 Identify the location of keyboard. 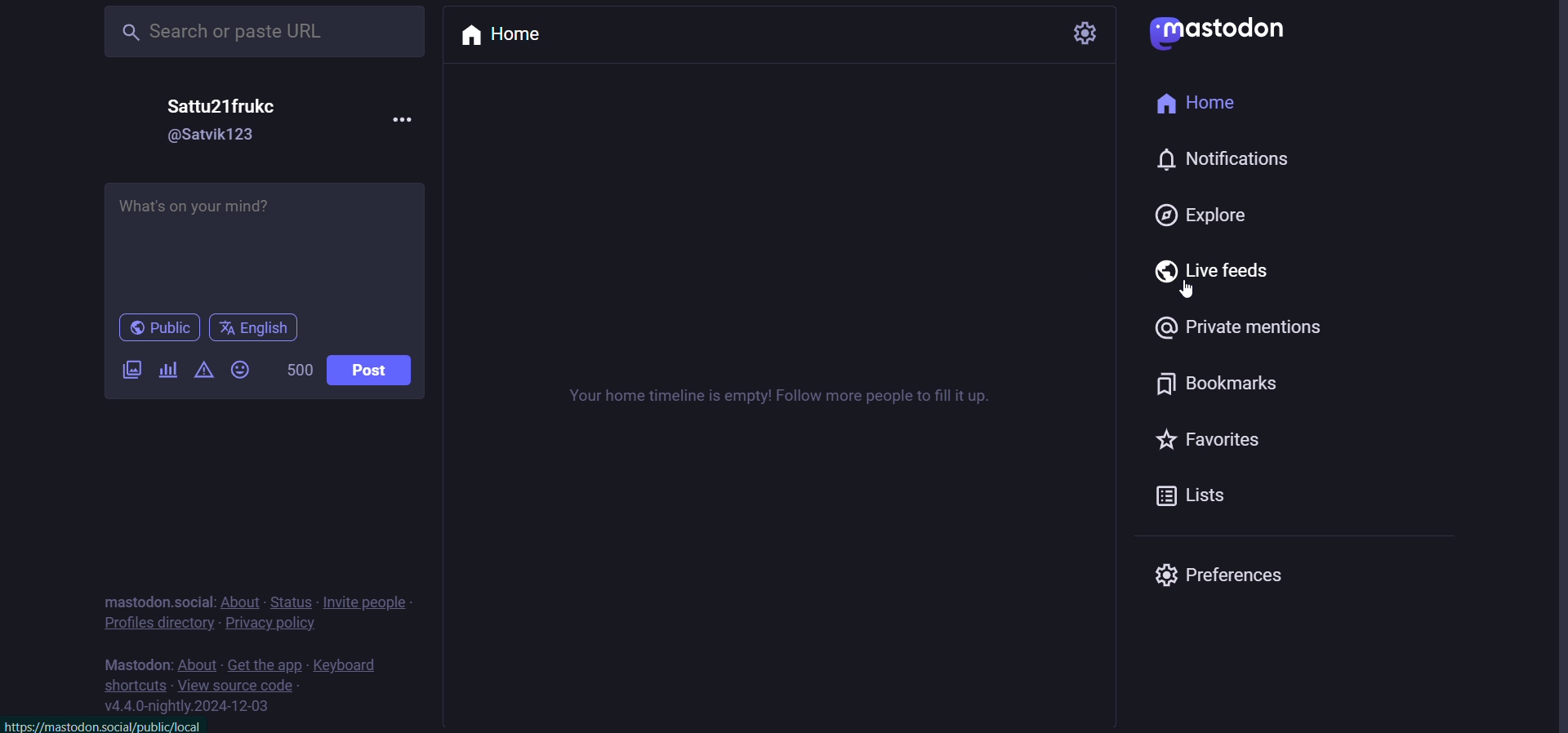
(348, 665).